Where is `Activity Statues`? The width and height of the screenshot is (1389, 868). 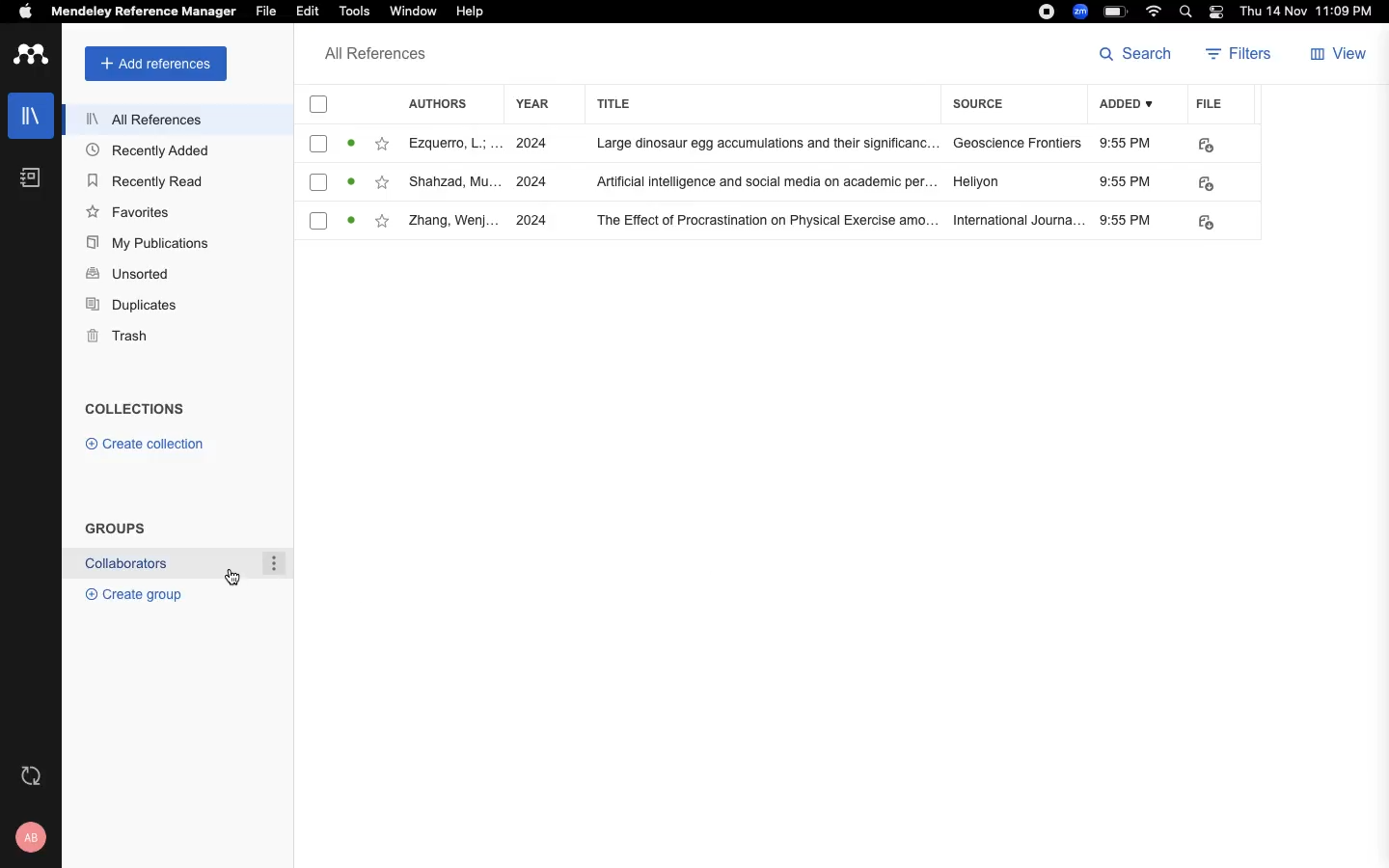
Activity Statues is located at coordinates (353, 185).